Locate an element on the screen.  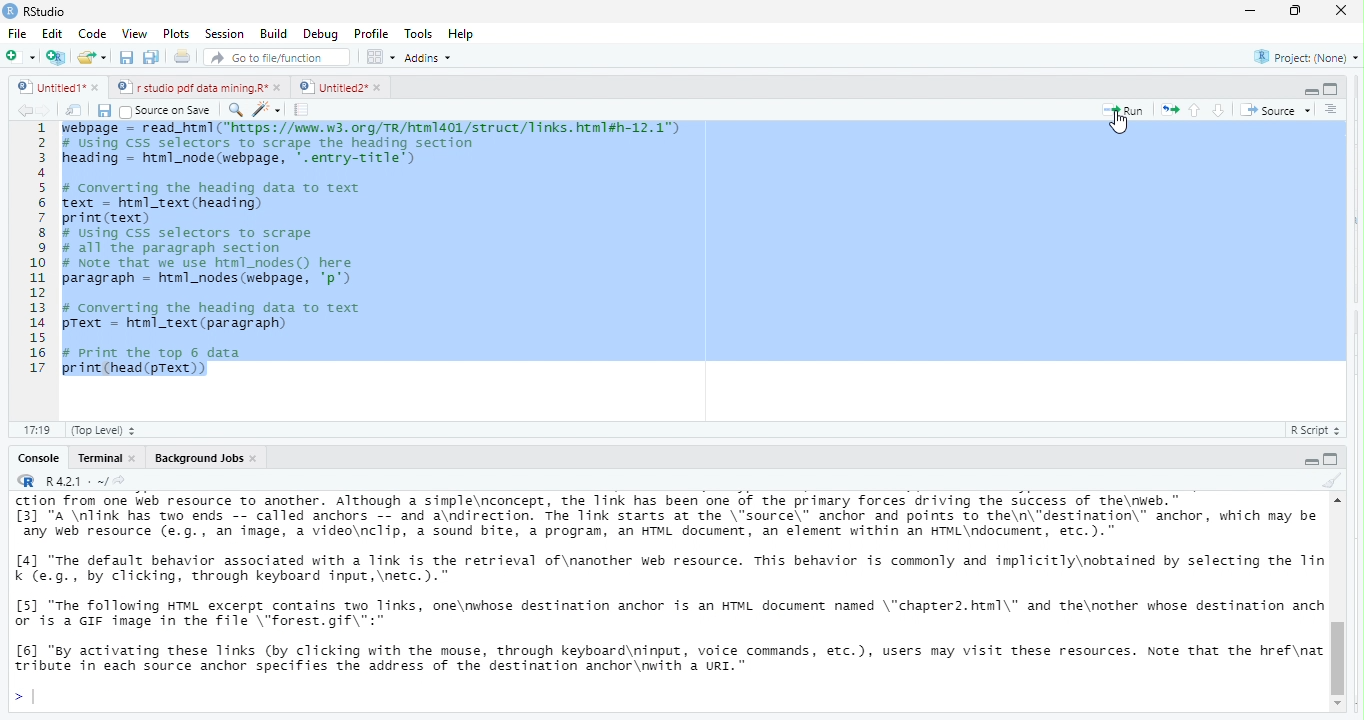
find/replace is located at coordinates (234, 109).